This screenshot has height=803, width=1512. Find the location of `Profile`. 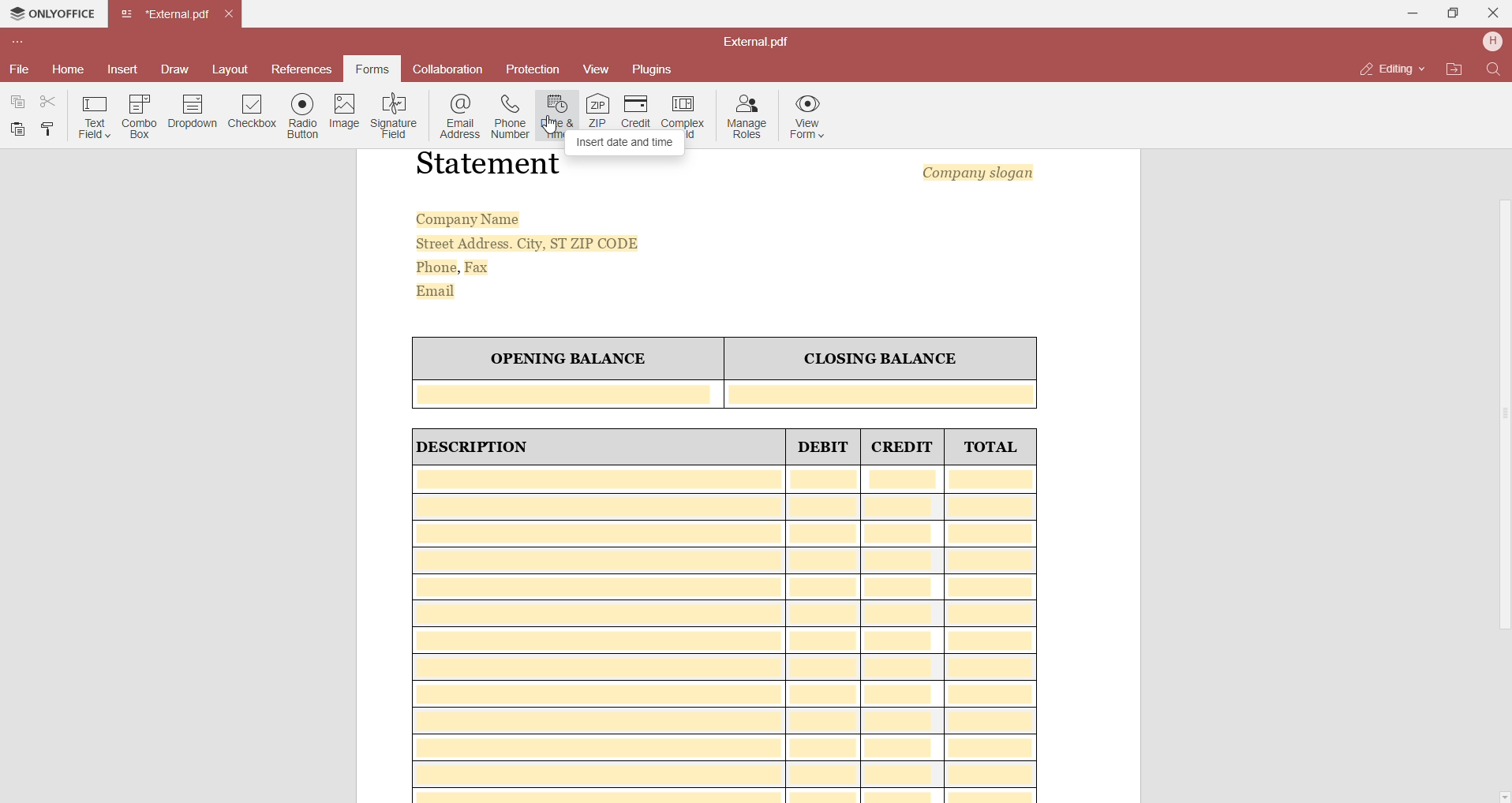

Profile is located at coordinates (1493, 41).